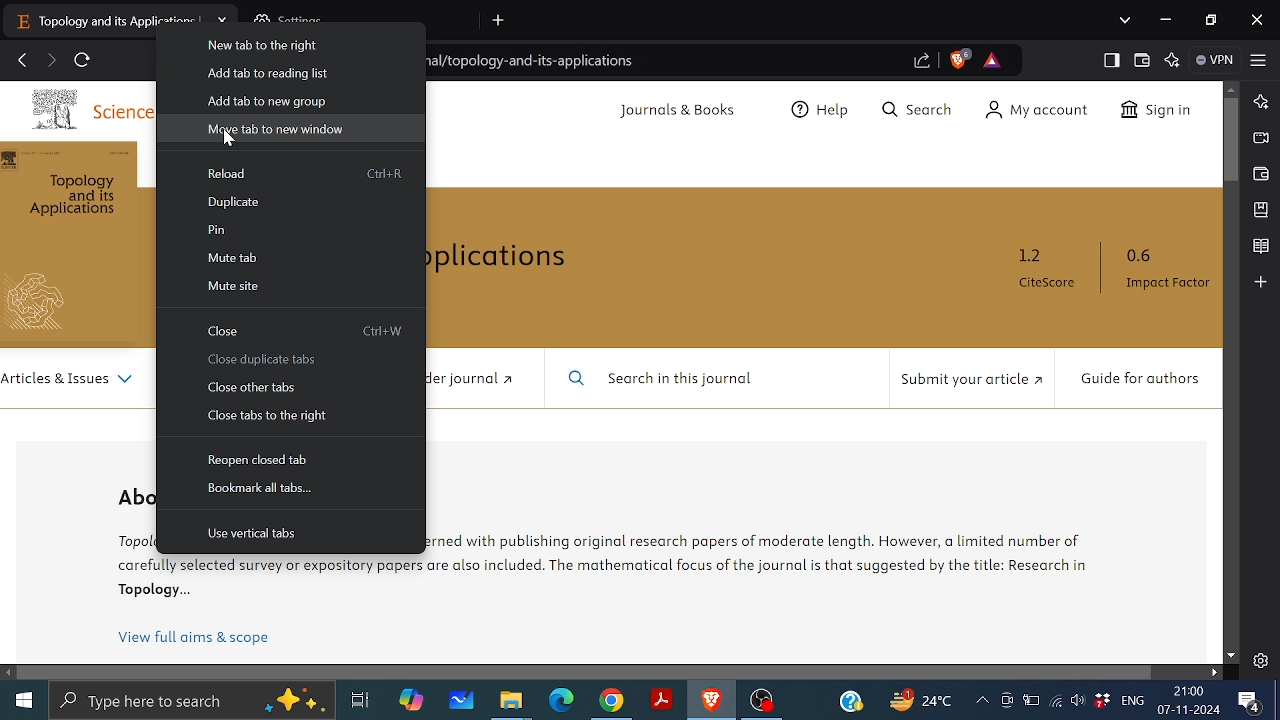 This screenshot has height=720, width=1280. Describe the element at coordinates (463, 701) in the screenshot. I see `Whiteboard` at that location.